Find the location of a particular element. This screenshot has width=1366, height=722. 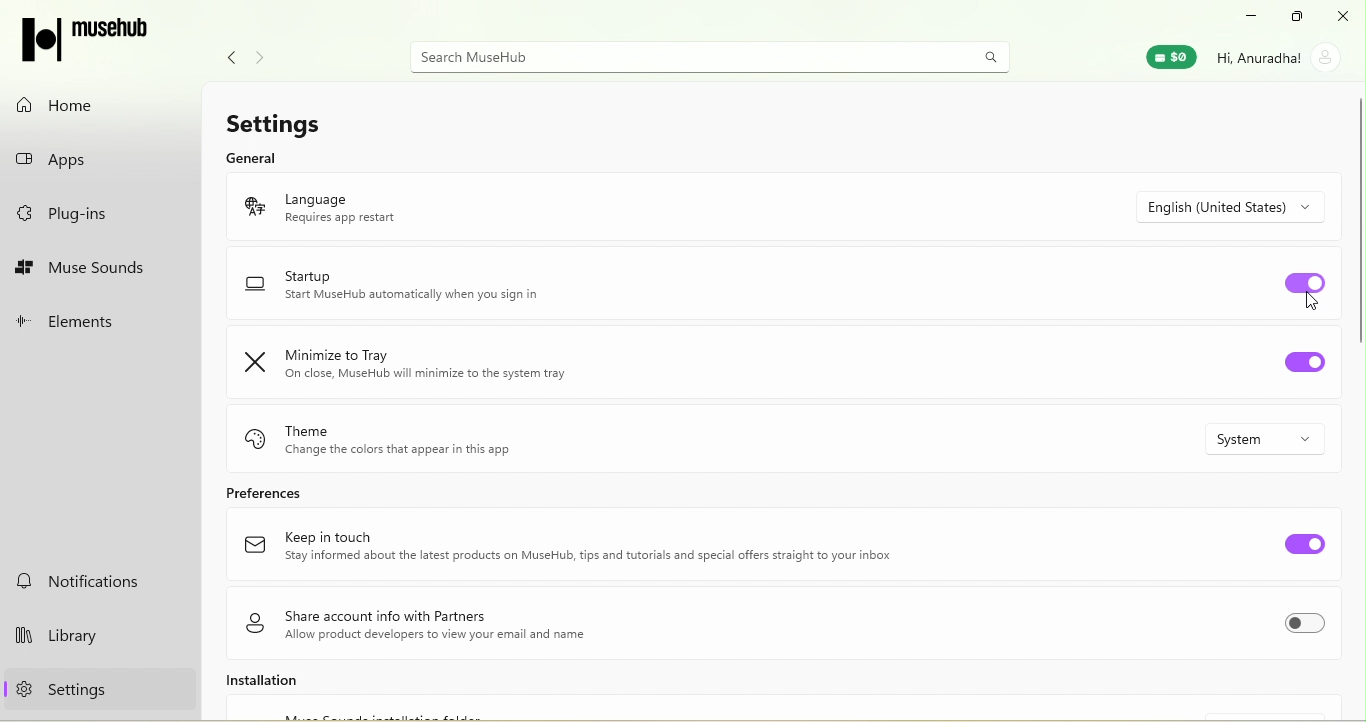

Prefernces is located at coordinates (302, 493).